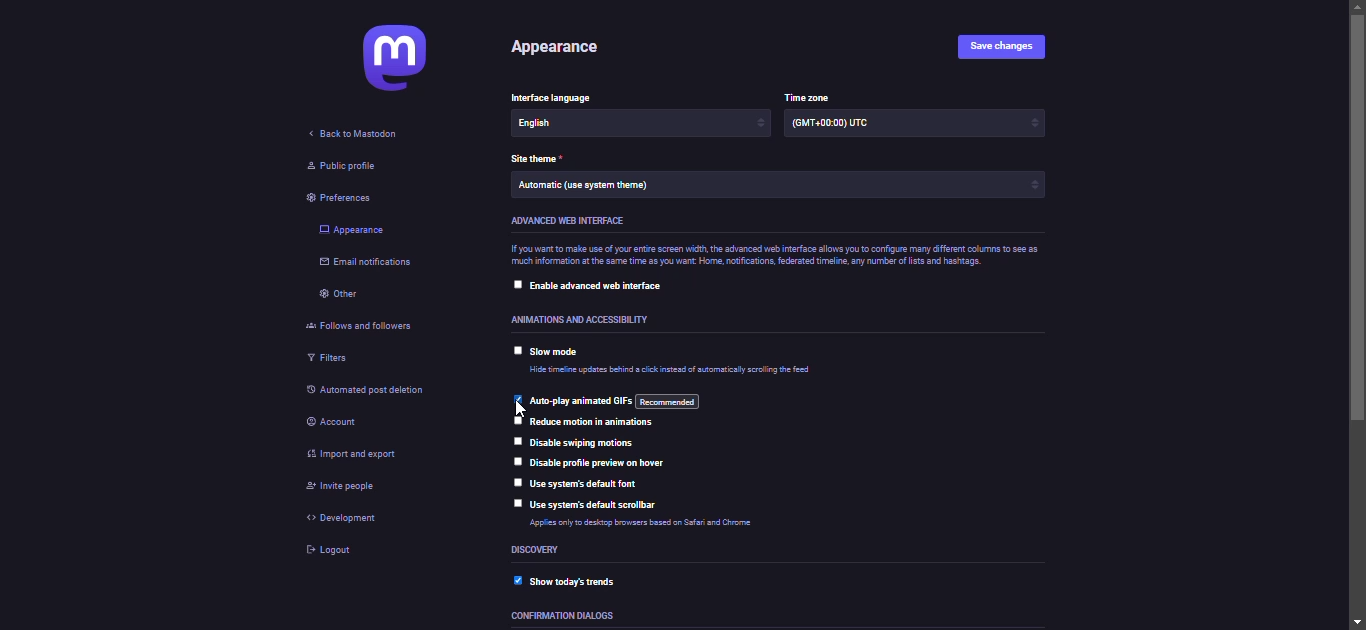  What do you see at coordinates (351, 230) in the screenshot?
I see `appearance` at bounding box center [351, 230].